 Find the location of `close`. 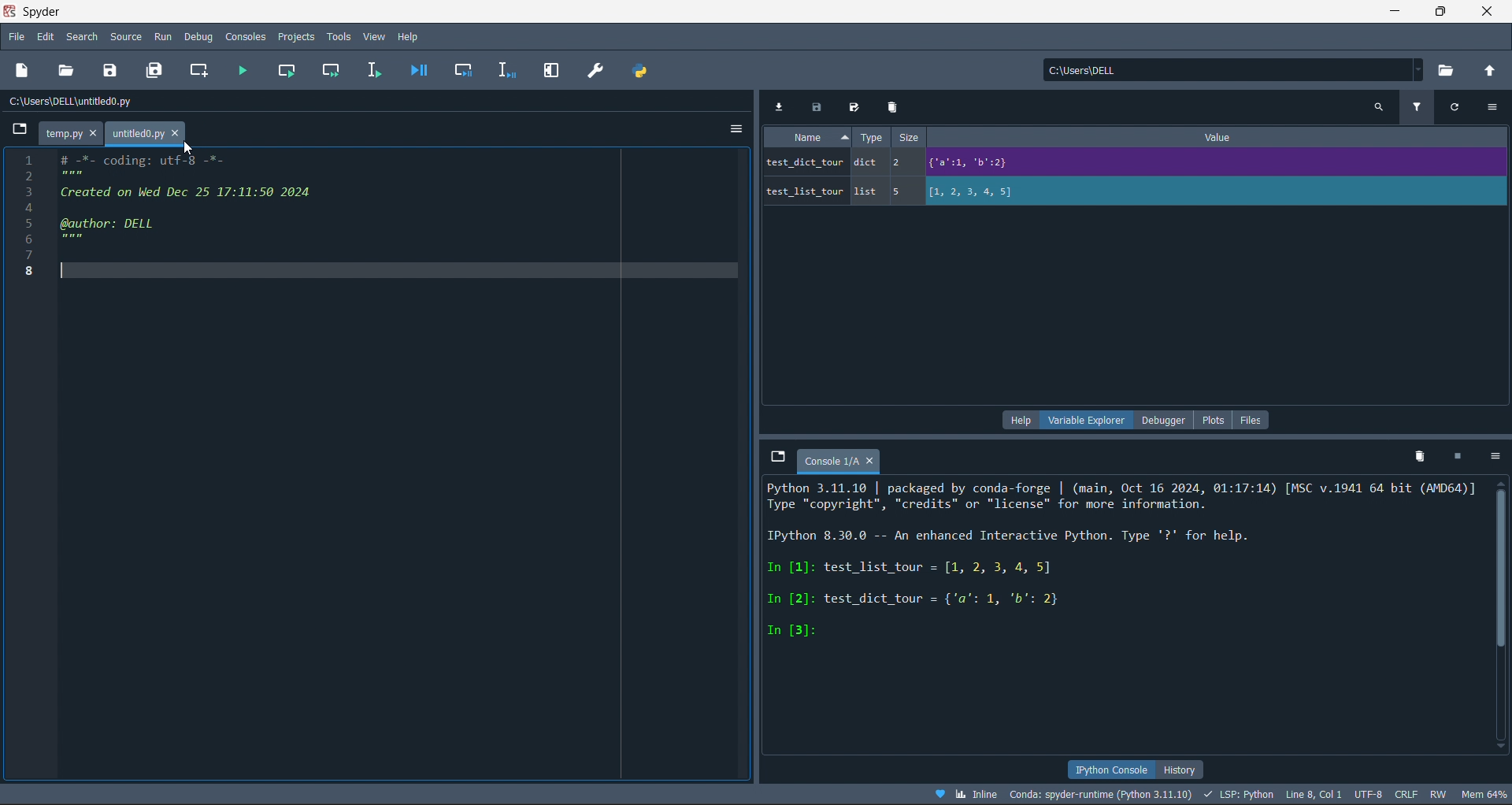

close is located at coordinates (1489, 13).